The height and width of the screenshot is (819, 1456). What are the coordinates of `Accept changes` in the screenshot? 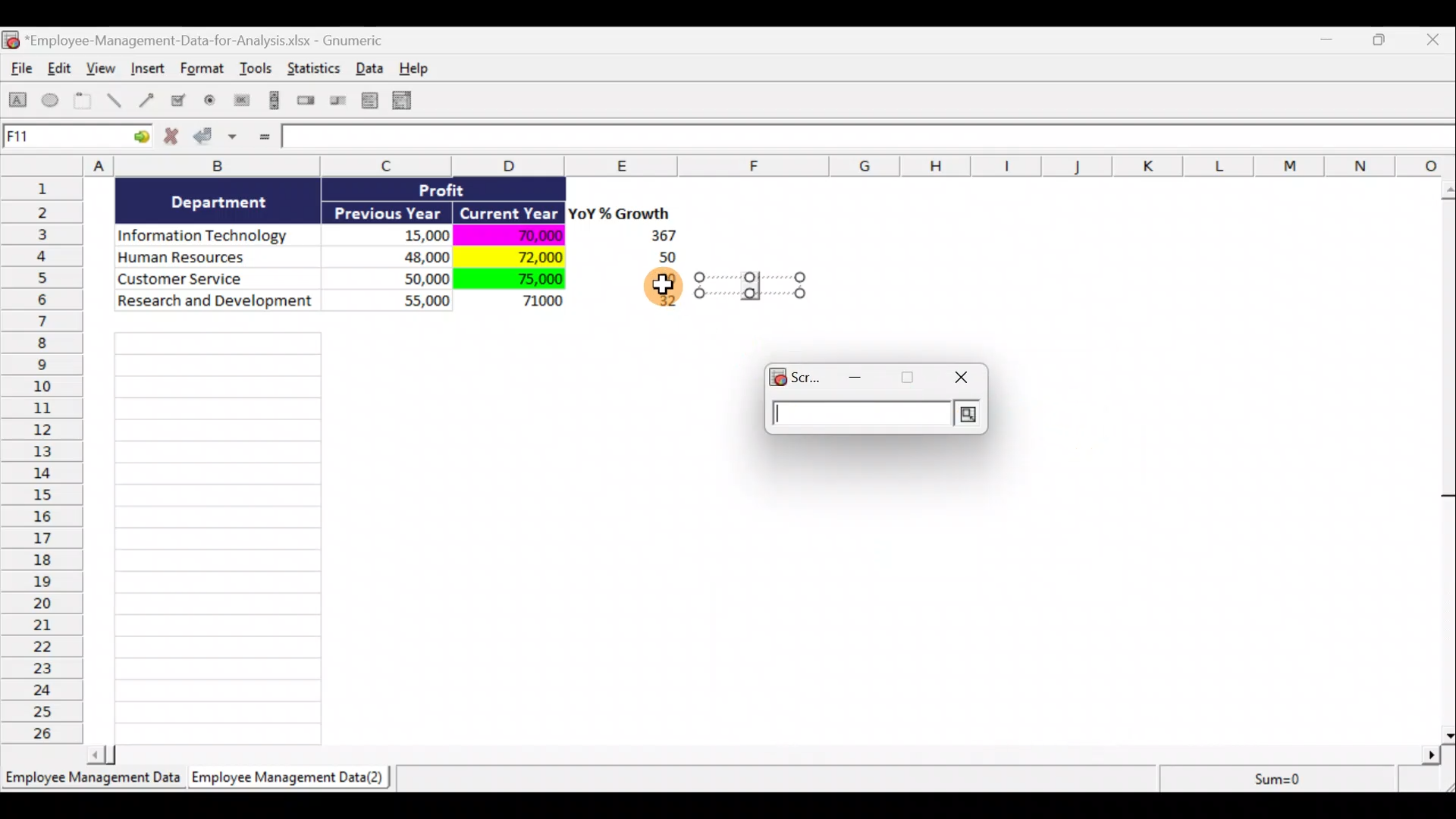 It's located at (218, 142).